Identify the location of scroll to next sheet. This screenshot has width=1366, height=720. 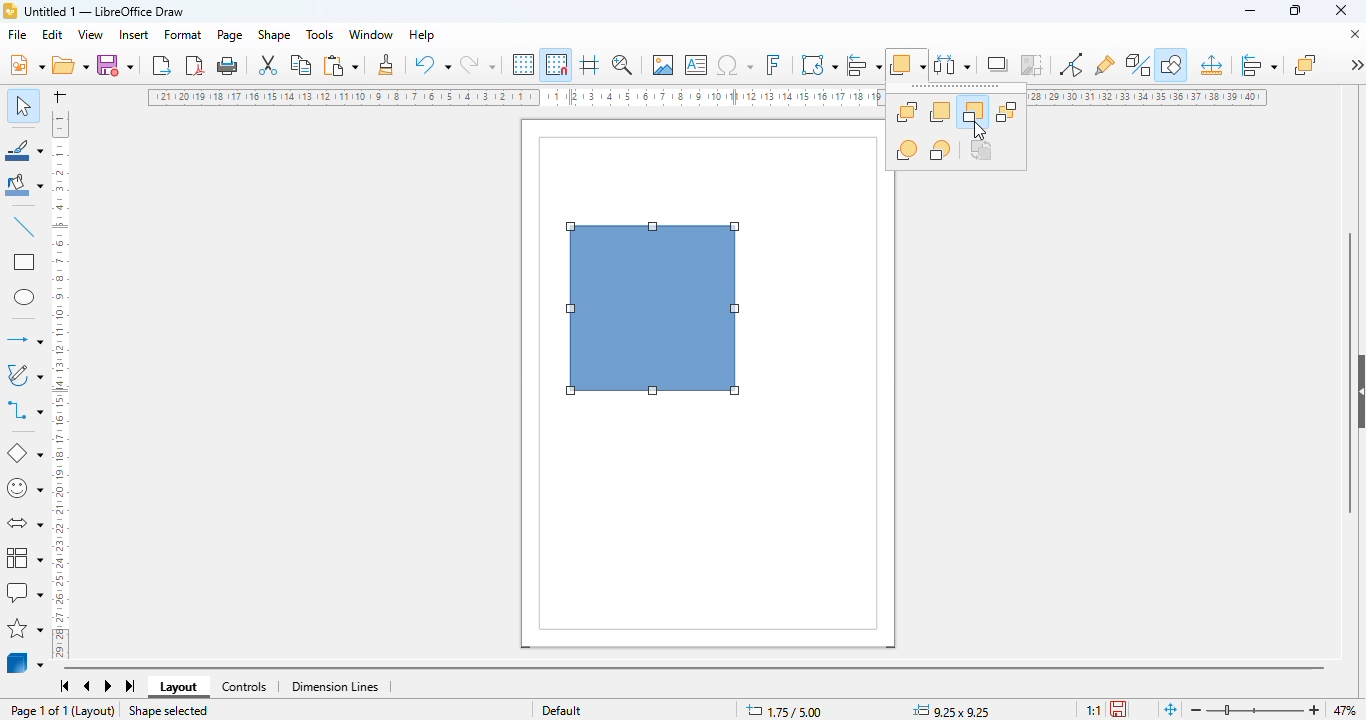
(109, 687).